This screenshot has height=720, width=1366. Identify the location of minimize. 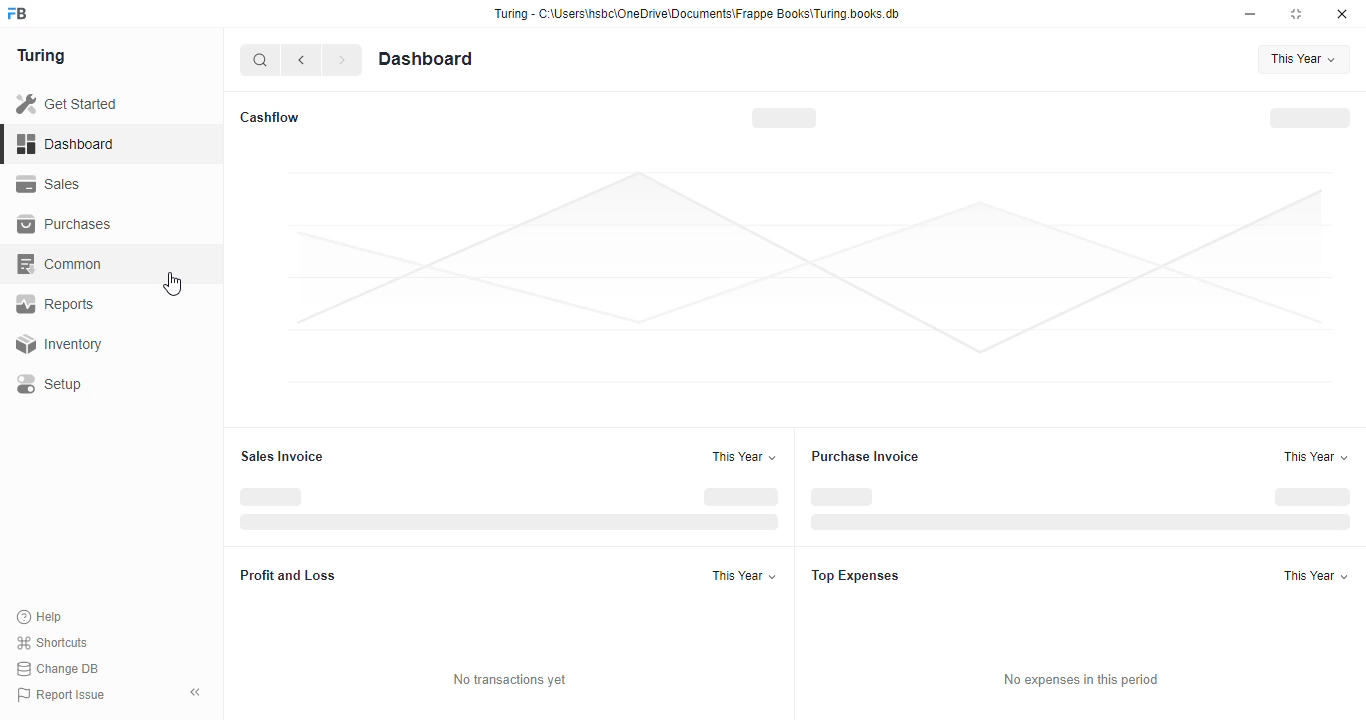
(1251, 14).